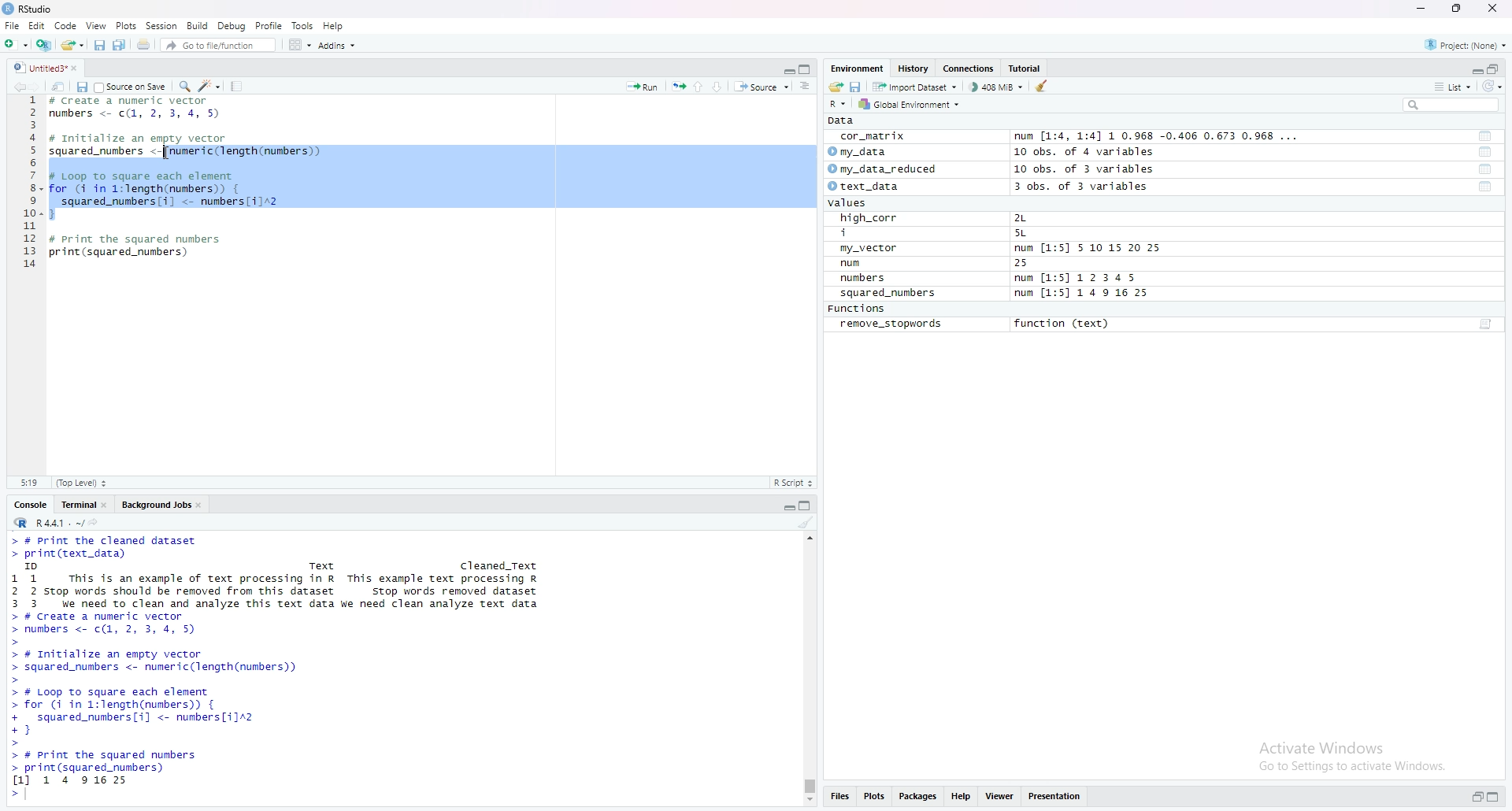  I want to click on Open an existing file, so click(72, 43).